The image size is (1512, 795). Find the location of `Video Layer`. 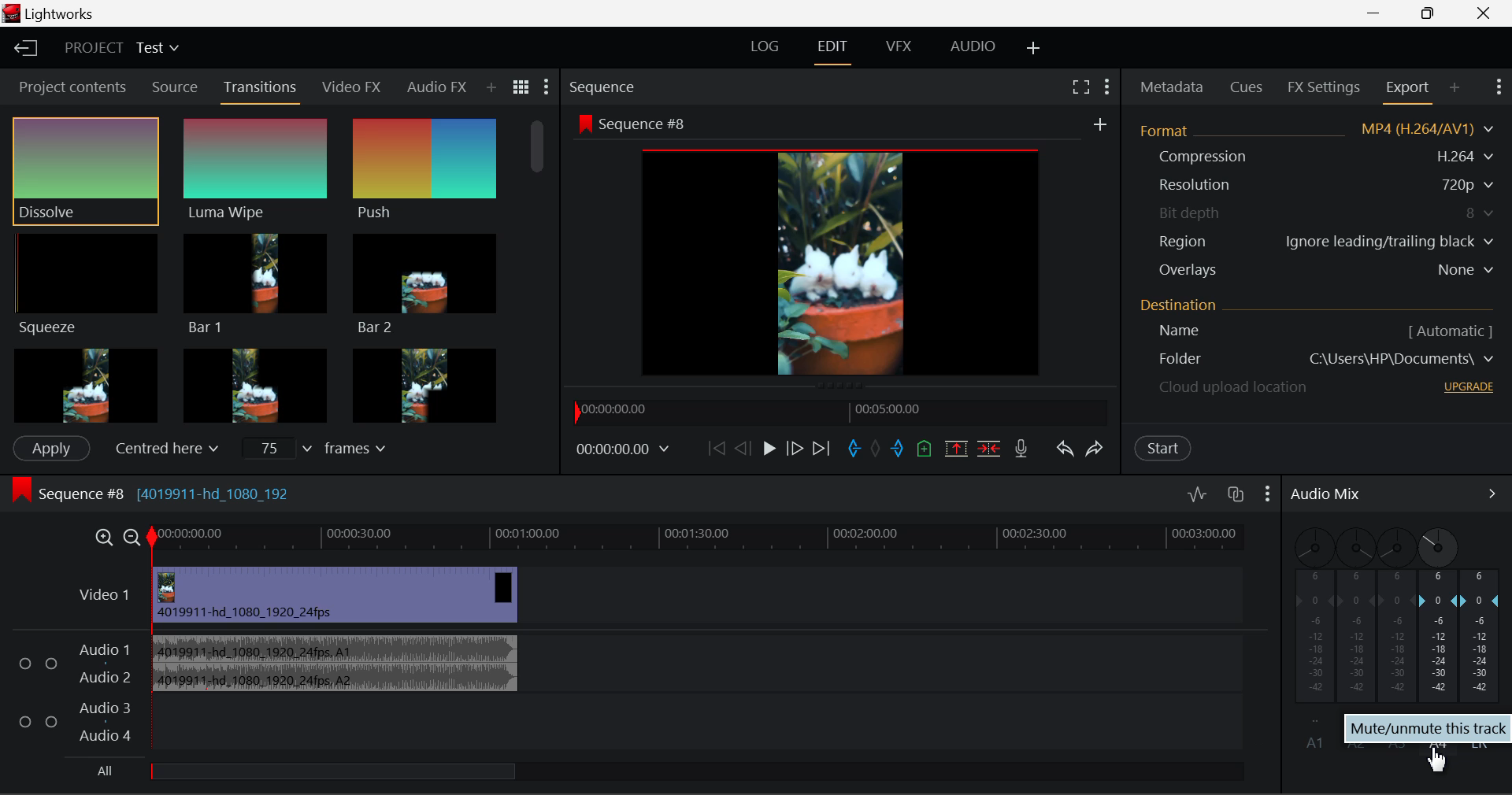

Video Layer is located at coordinates (675, 594).